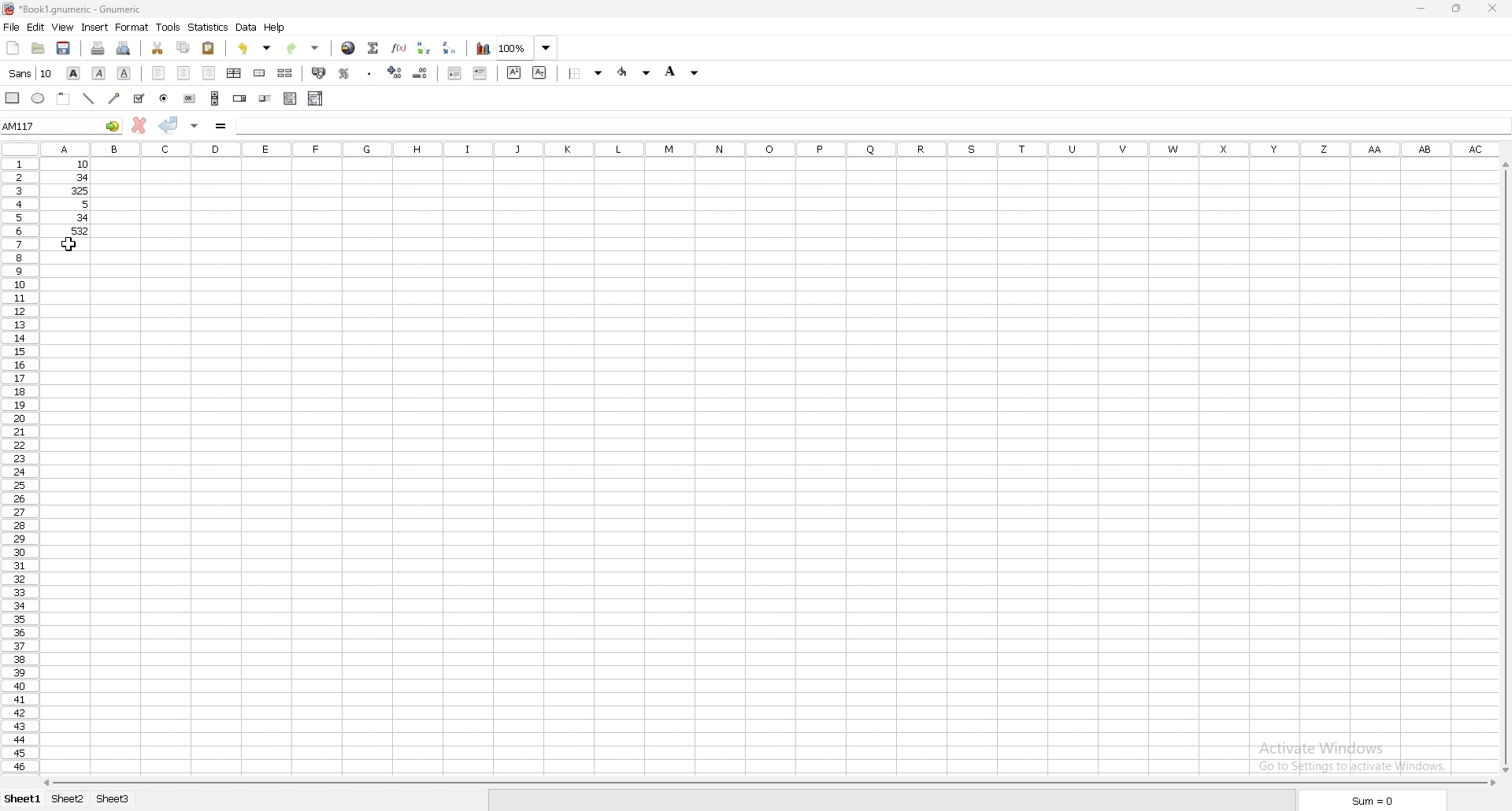  What do you see at coordinates (539, 72) in the screenshot?
I see `subscript` at bounding box center [539, 72].